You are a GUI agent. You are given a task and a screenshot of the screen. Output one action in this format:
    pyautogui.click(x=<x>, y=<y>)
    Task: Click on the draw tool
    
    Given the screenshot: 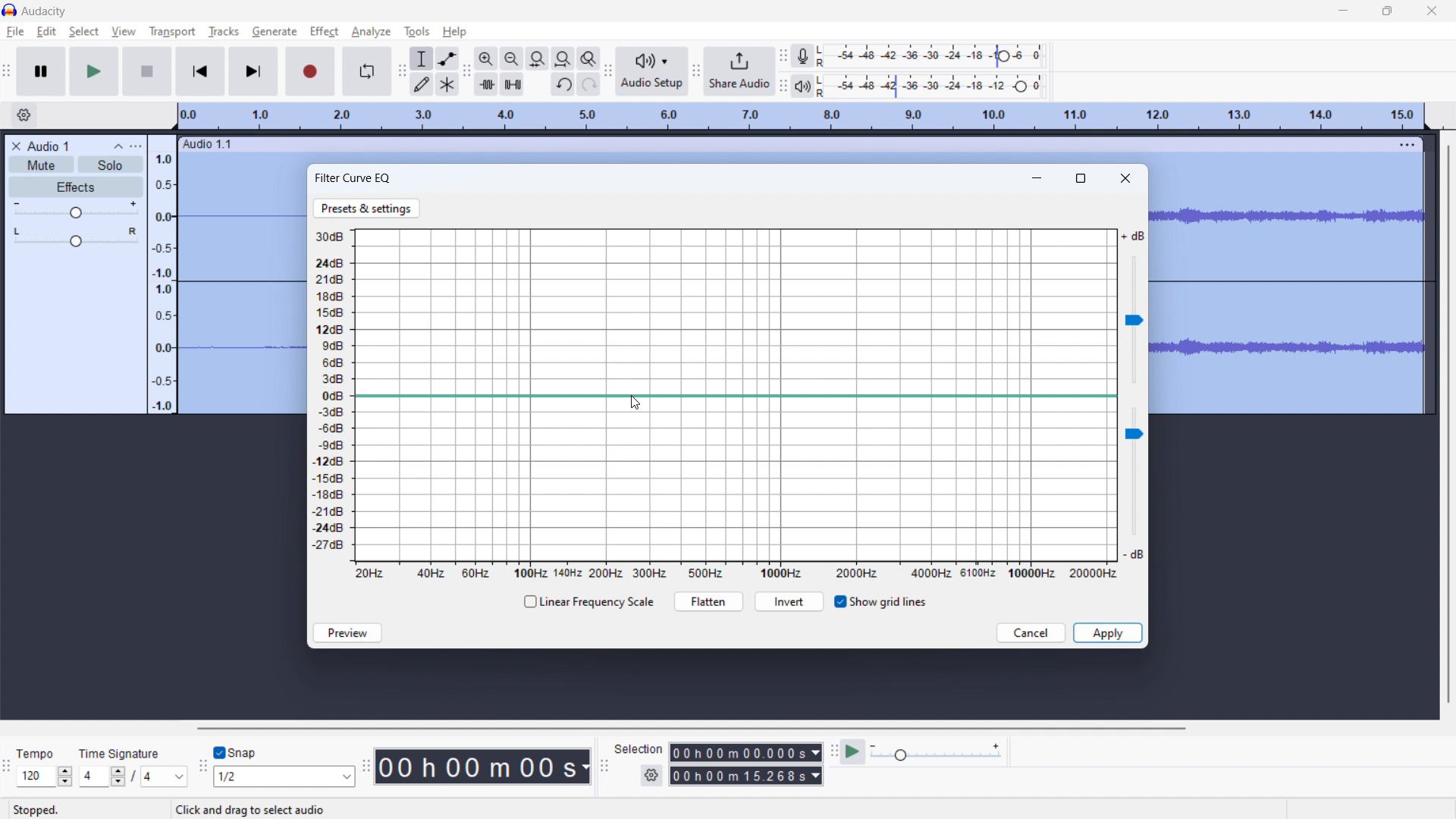 What is the action you would take?
    pyautogui.click(x=422, y=83)
    